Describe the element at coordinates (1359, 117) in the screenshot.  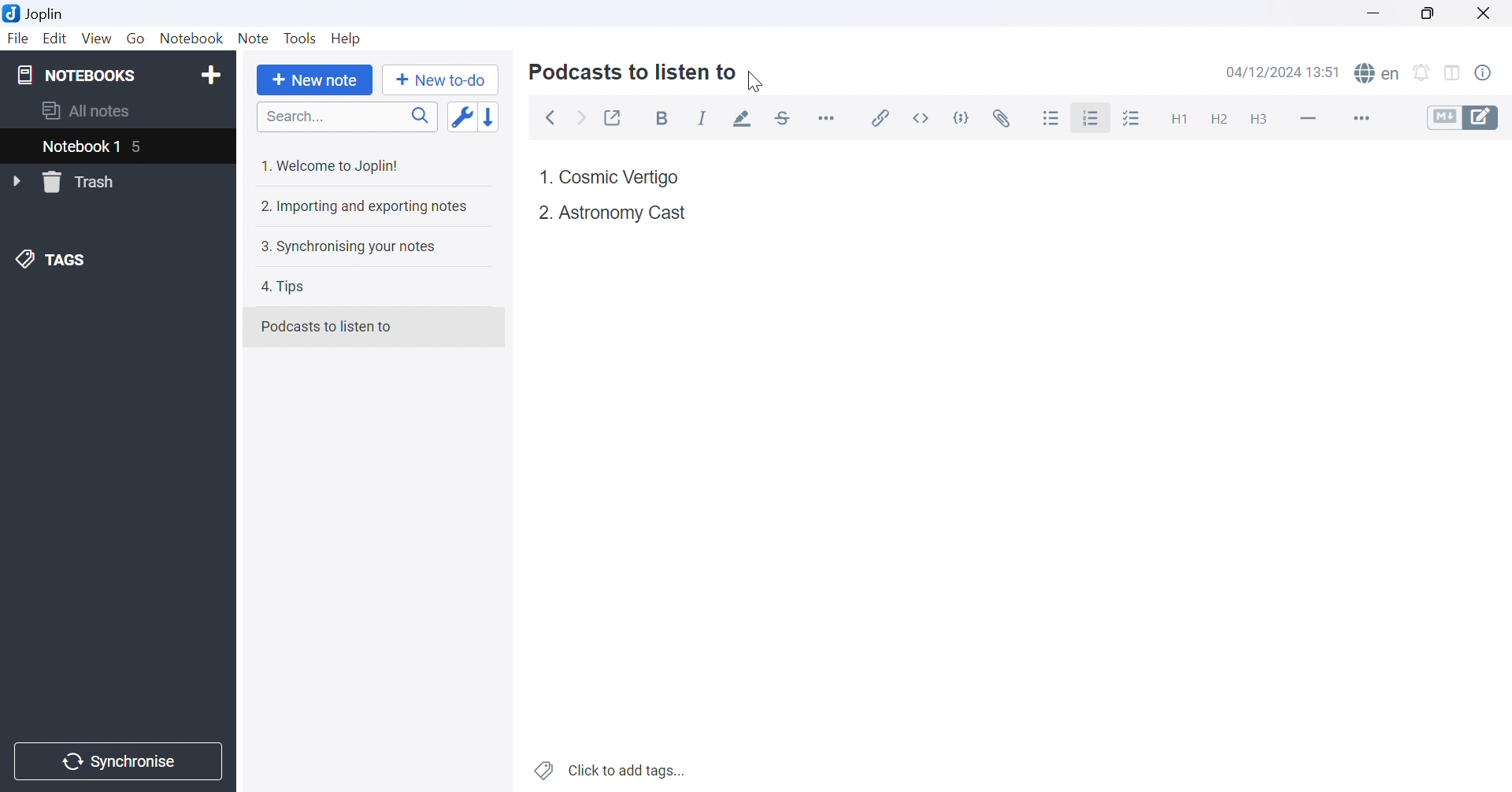
I see `More` at that location.